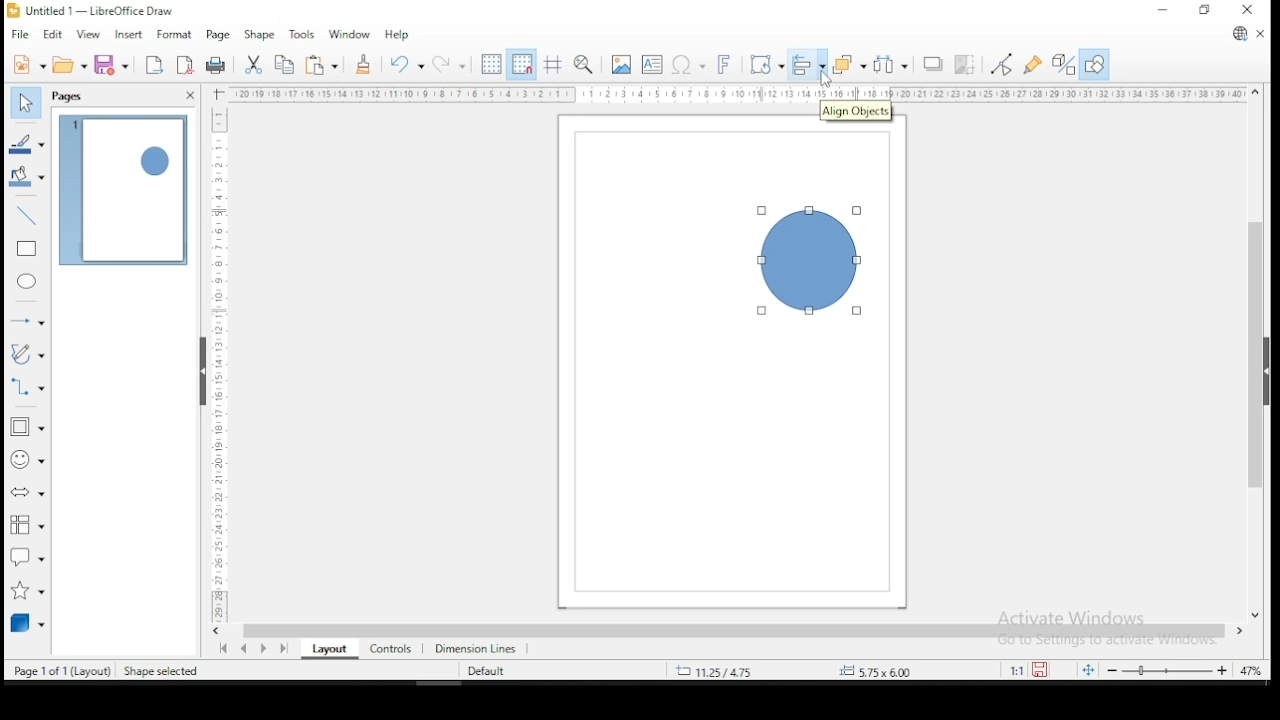  I want to click on curves and polygons, so click(28, 354).